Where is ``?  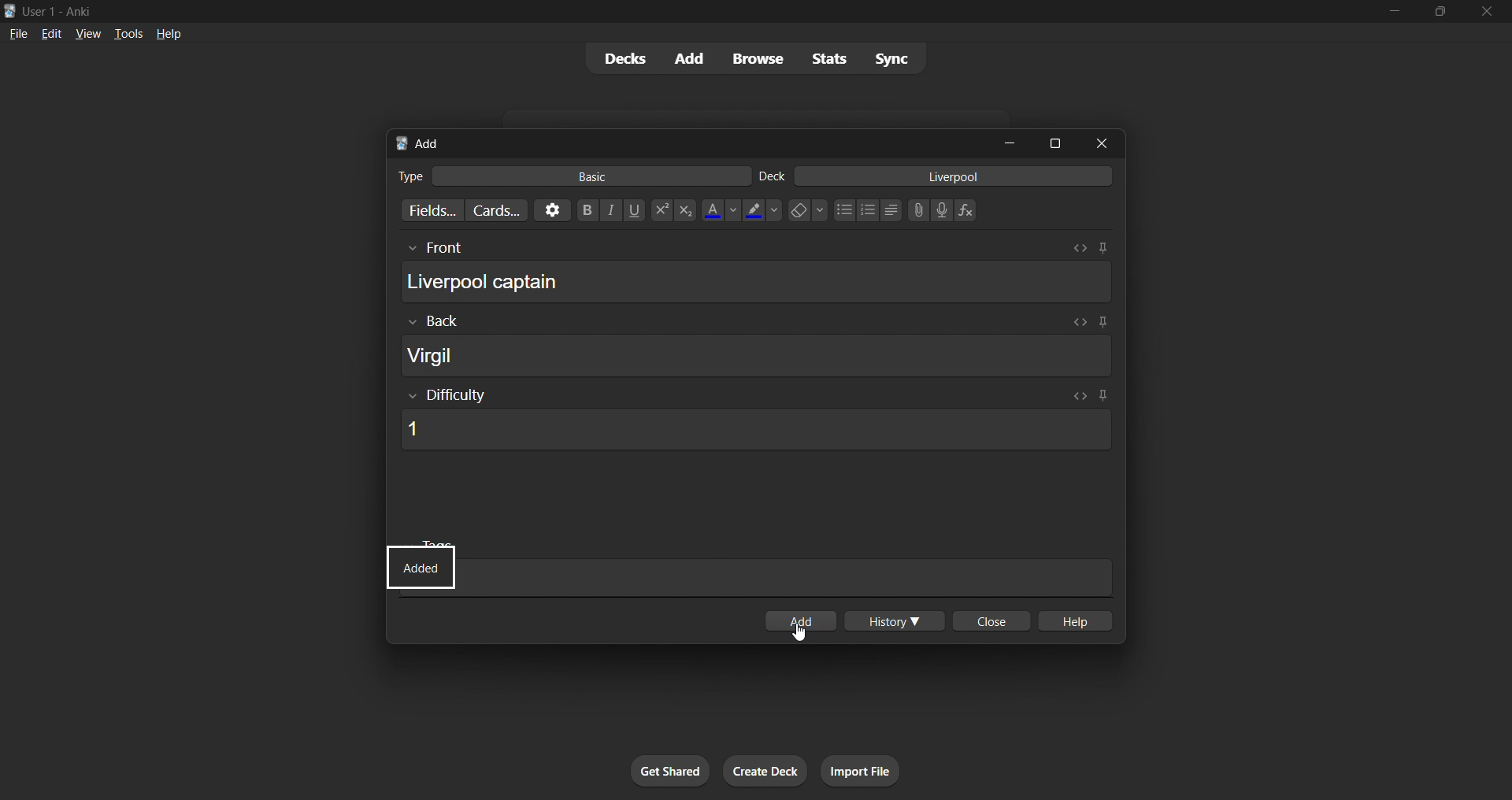
 is located at coordinates (434, 249).